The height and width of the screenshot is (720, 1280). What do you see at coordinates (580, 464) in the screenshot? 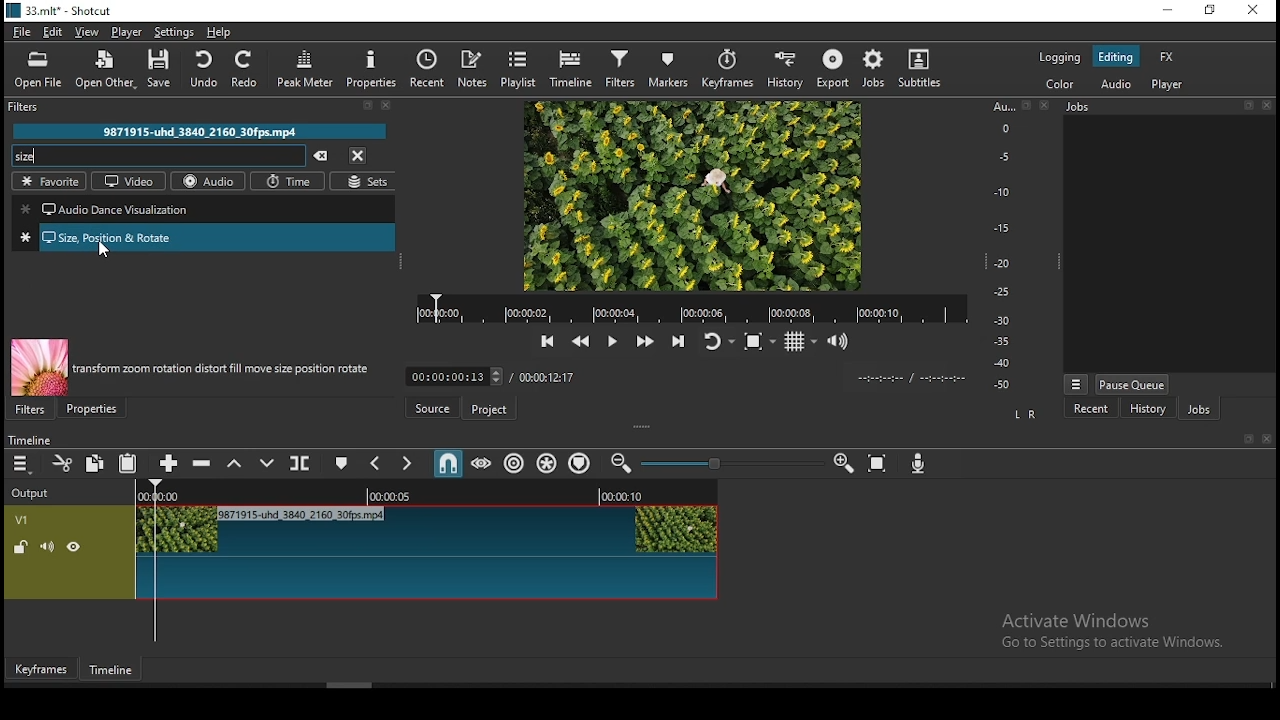
I see `ripple markers` at bounding box center [580, 464].